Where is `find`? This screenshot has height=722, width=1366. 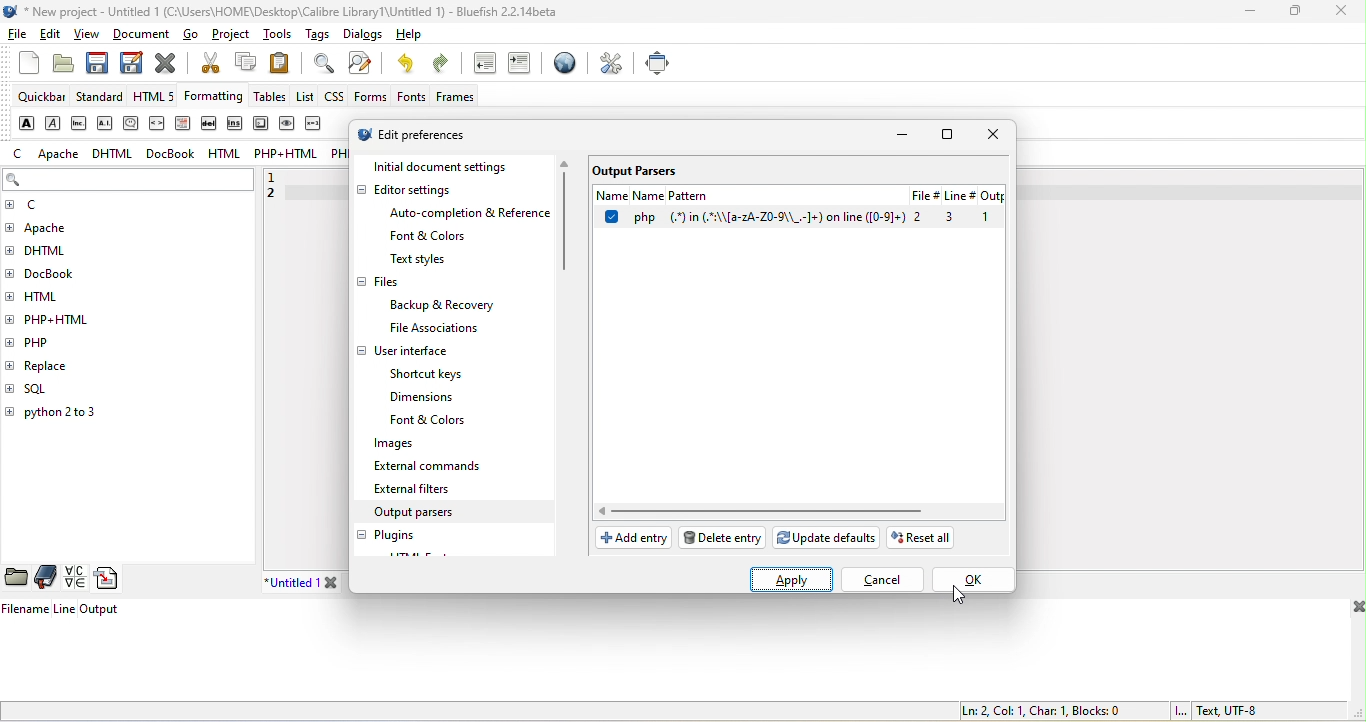 find is located at coordinates (320, 63).